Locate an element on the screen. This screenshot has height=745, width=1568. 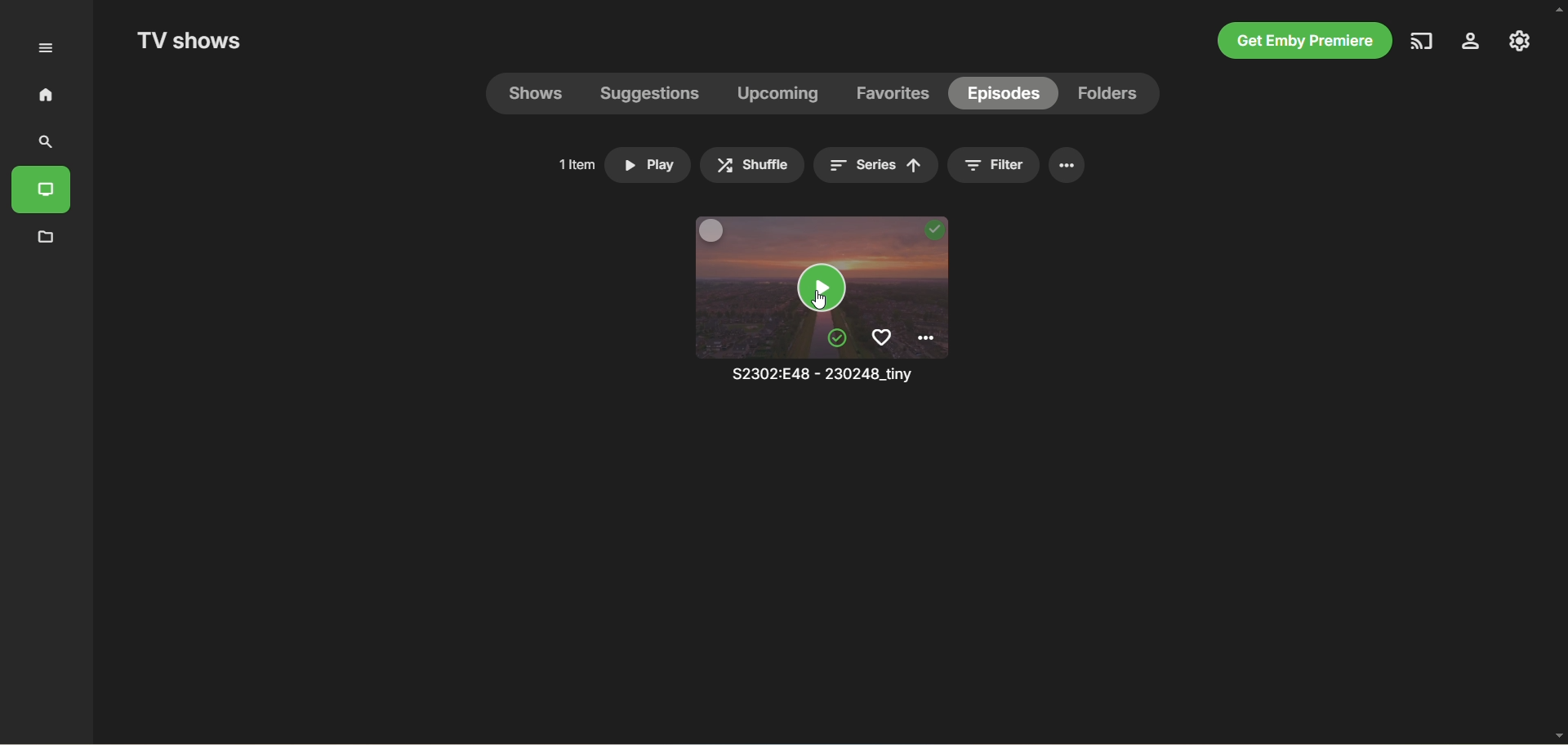
Expand is located at coordinates (45, 48).